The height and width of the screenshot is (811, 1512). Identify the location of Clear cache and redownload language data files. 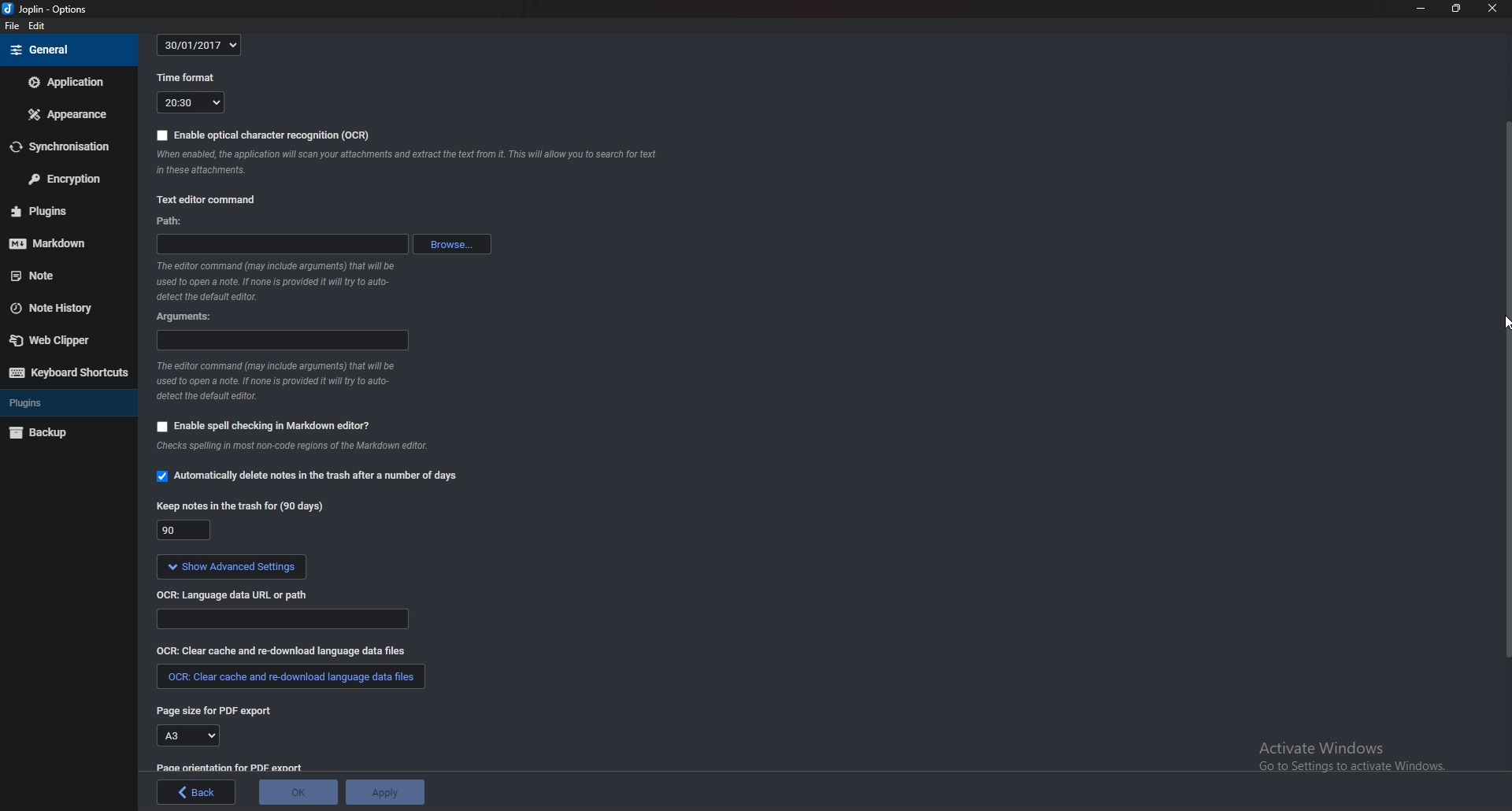
(288, 678).